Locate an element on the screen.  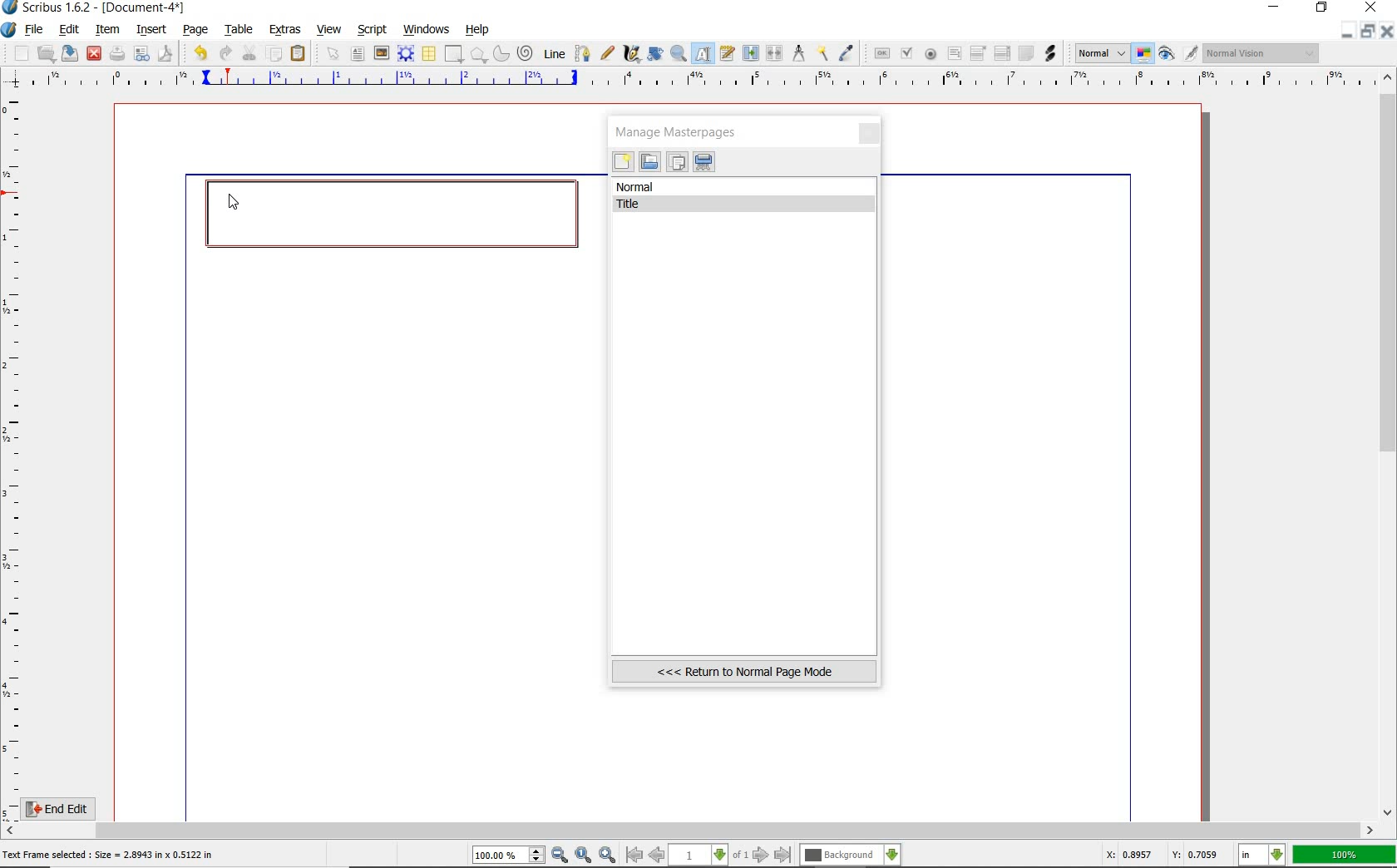
100% is located at coordinates (1345, 855).